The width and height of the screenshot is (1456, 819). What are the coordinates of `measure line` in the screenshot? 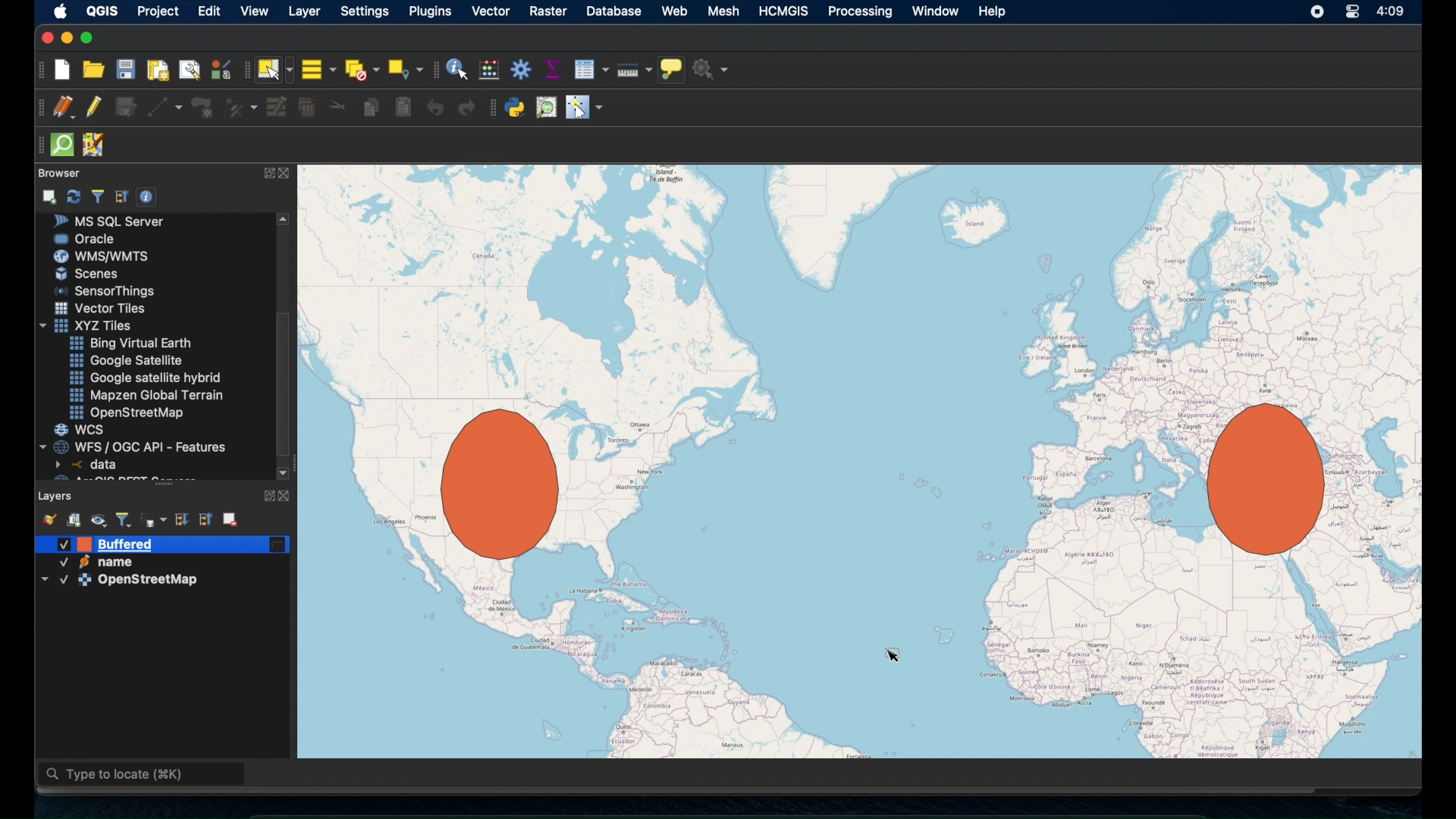 It's located at (633, 71).